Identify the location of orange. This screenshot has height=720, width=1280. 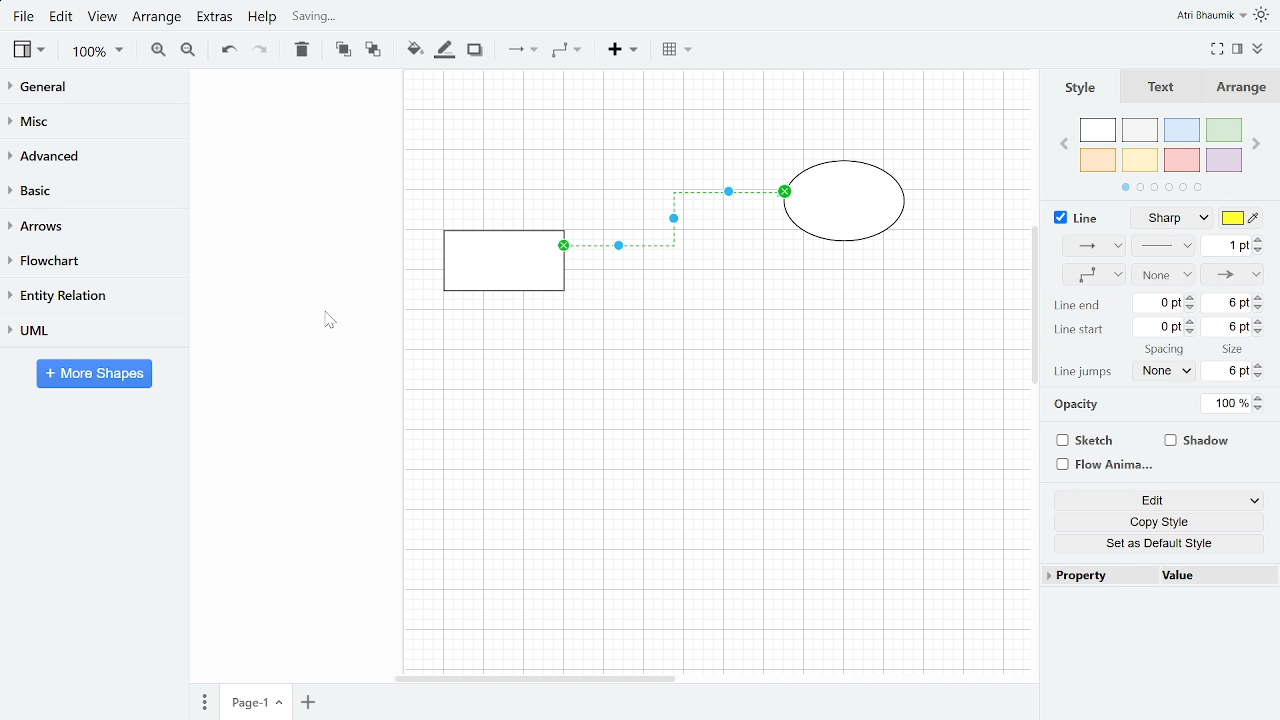
(1098, 160).